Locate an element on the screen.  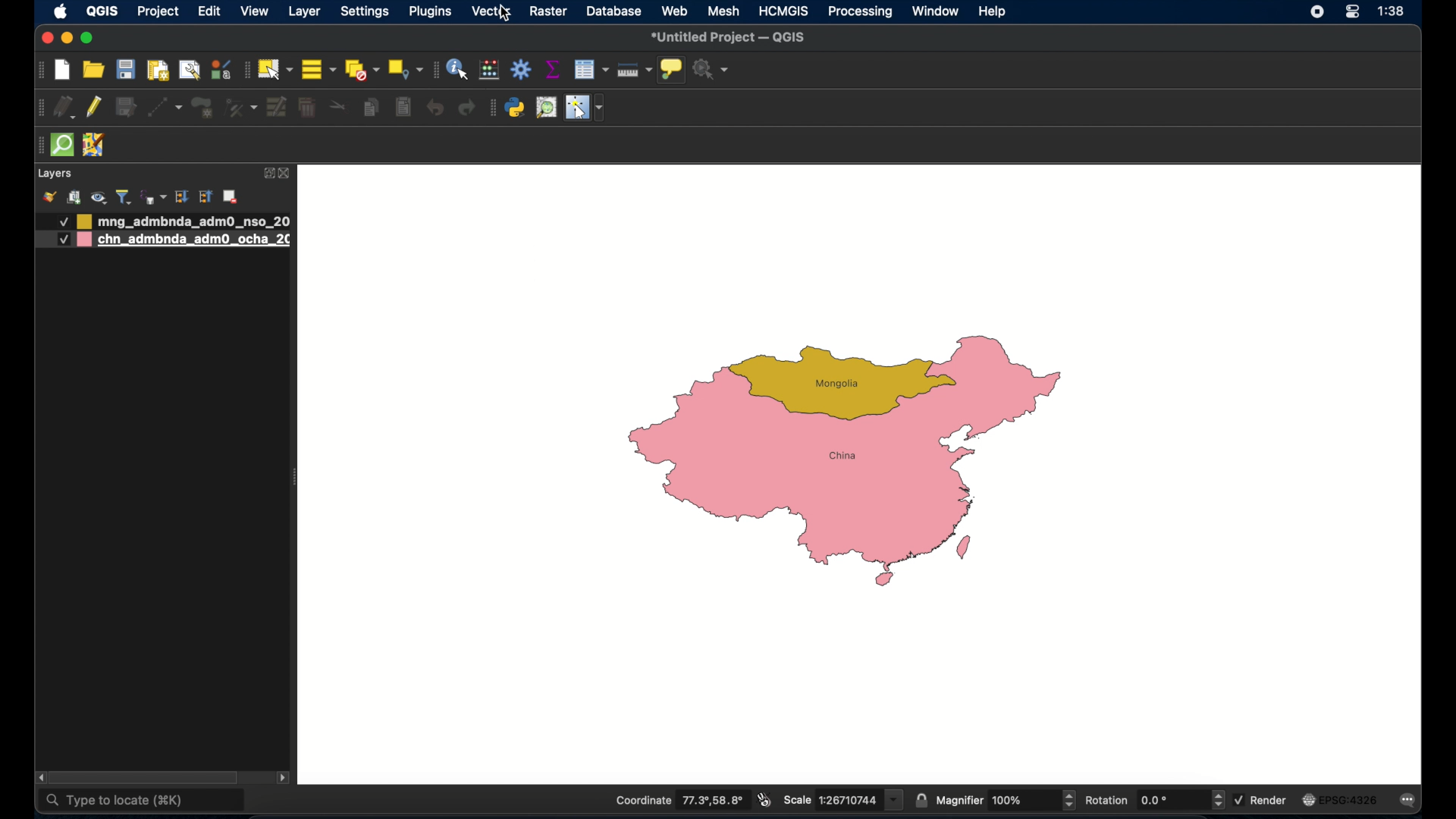
help is located at coordinates (993, 11).